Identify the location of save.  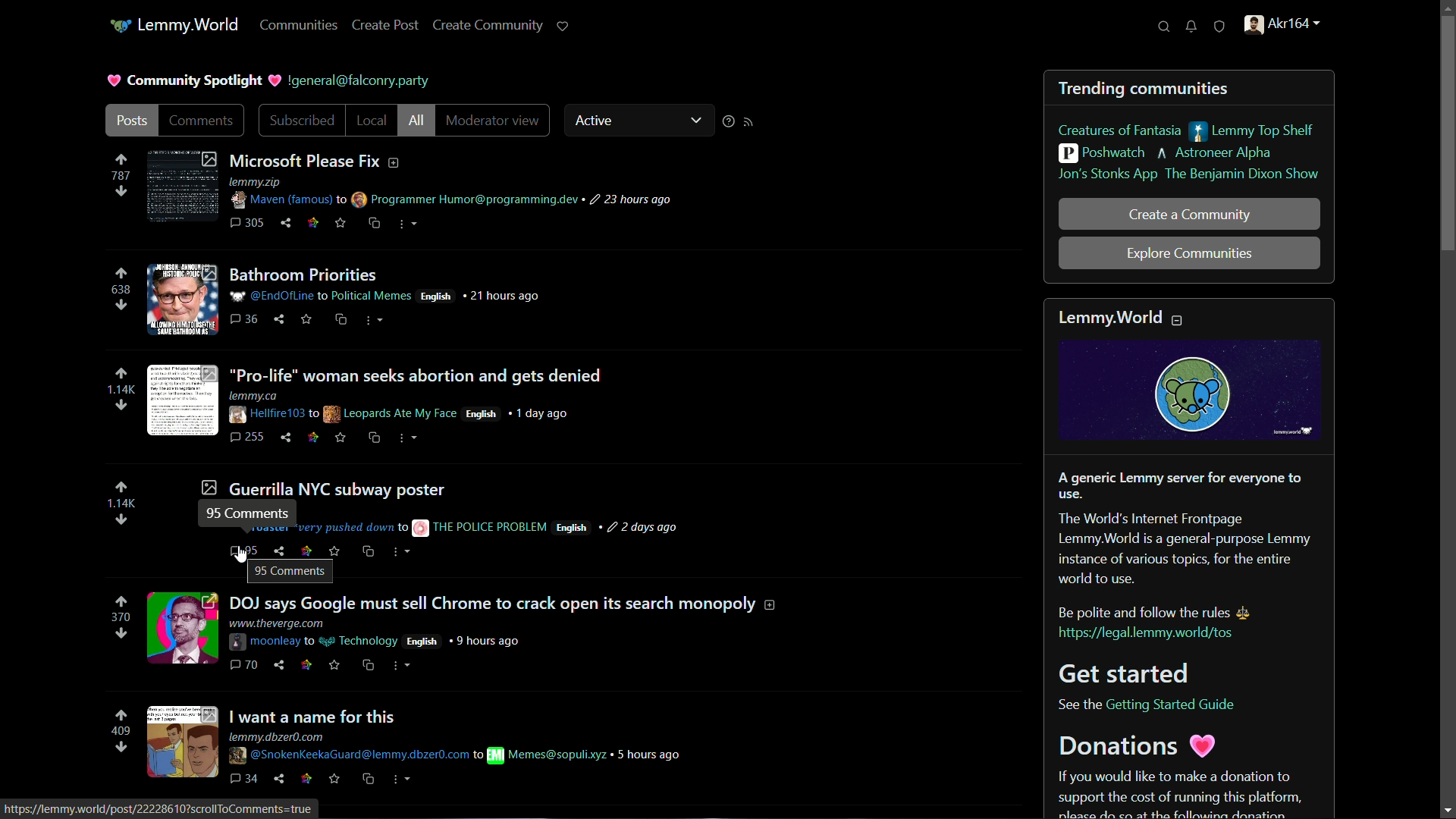
(333, 665).